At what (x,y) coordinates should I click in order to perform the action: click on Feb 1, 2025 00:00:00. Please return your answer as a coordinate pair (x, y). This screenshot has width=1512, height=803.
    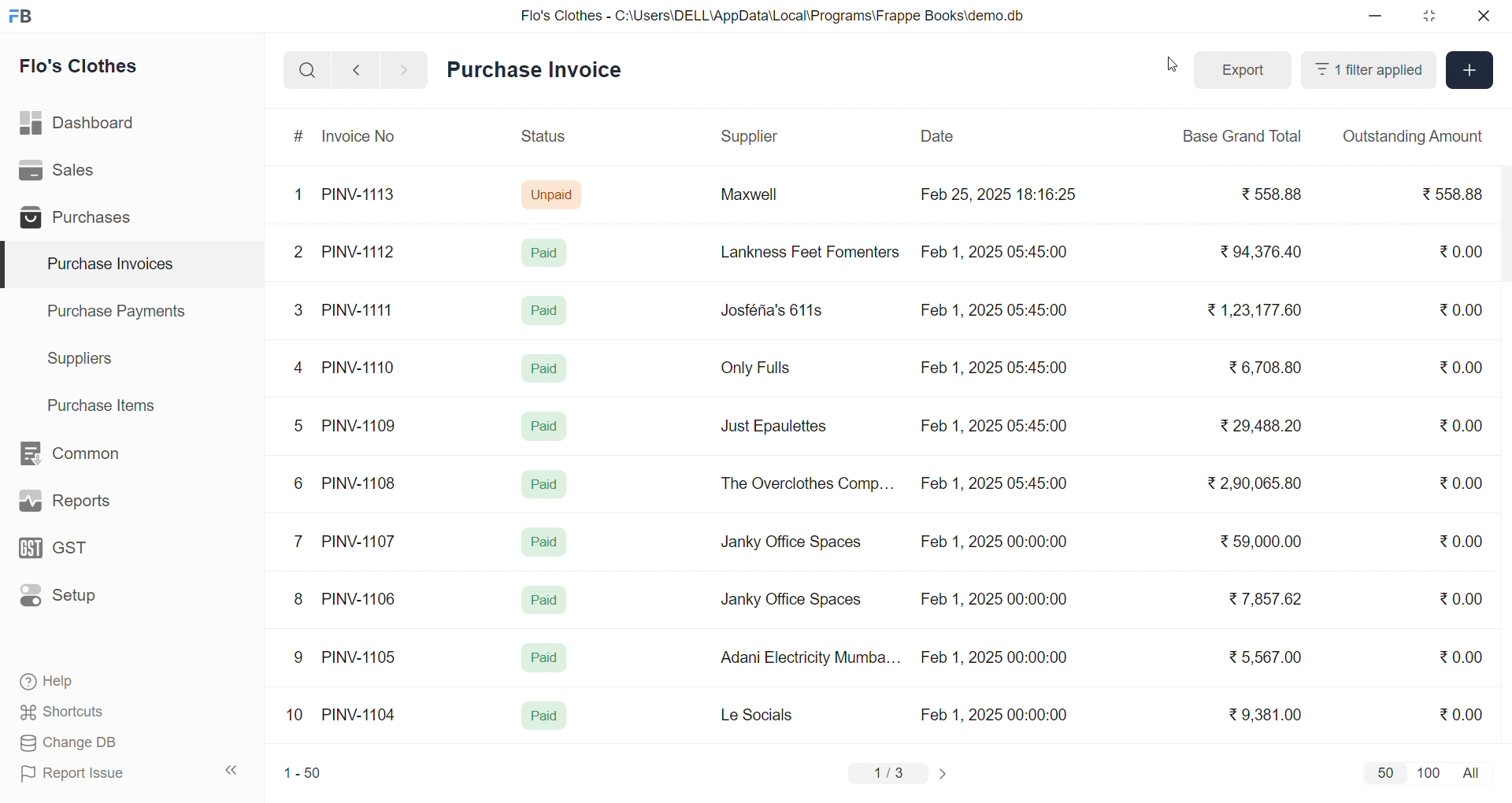
    Looking at the image, I should click on (993, 544).